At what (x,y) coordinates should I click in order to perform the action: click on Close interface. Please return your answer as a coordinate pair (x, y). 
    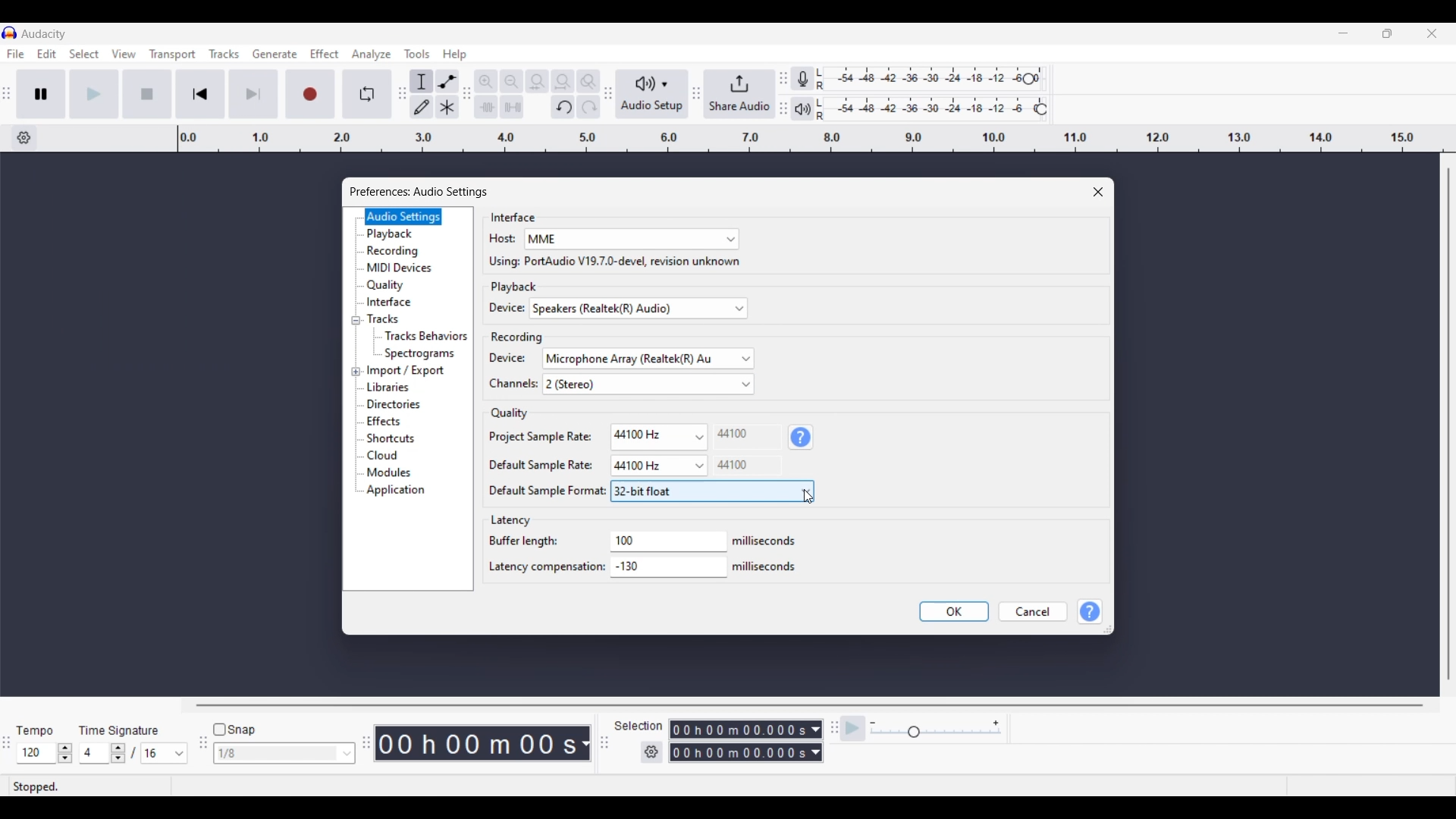
    Looking at the image, I should click on (1432, 33).